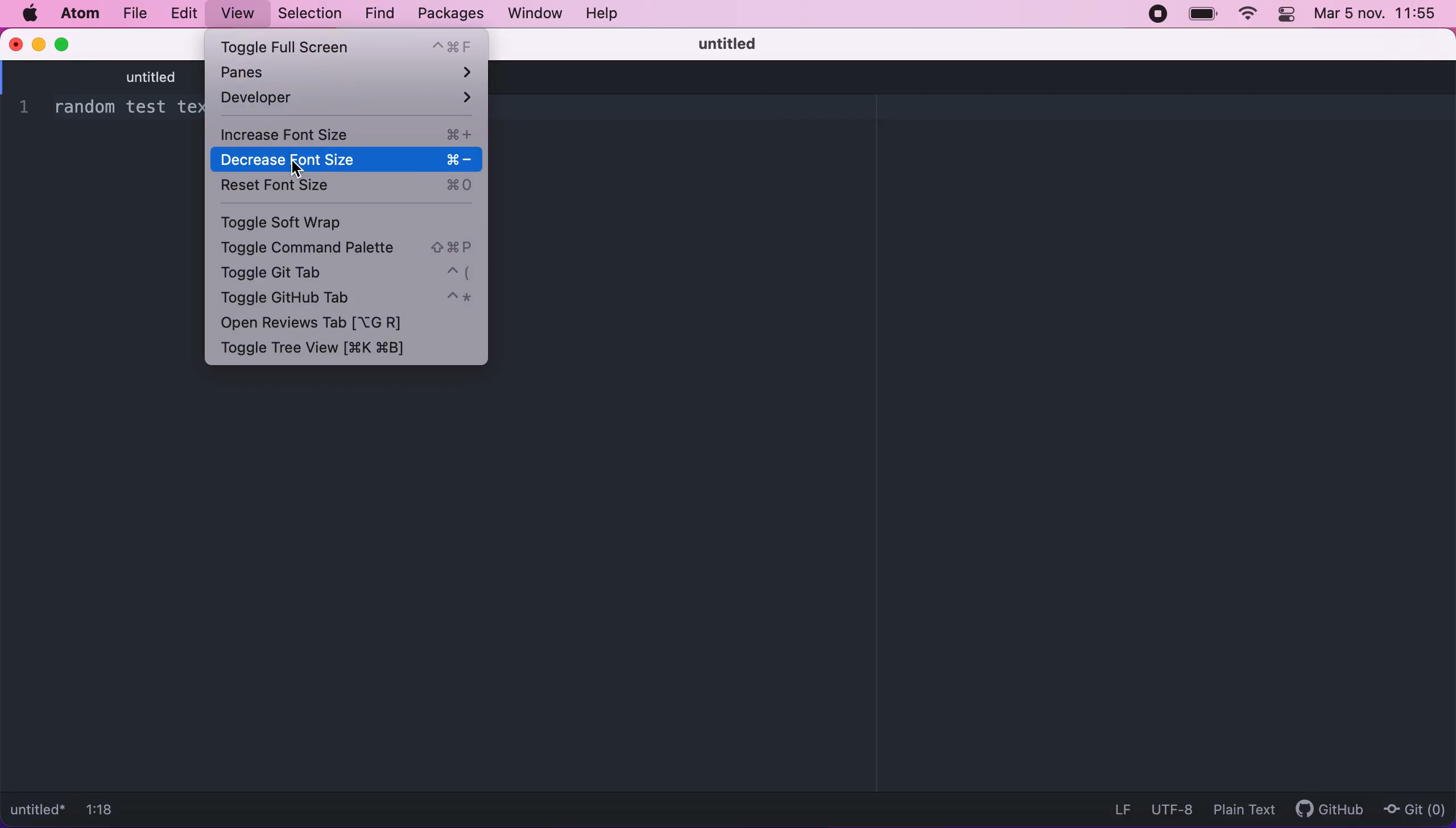 The height and width of the screenshot is (828, 1456). What do you see at coordinates (1286, 16) in the screenshot?
I see `panel control` at bounding box center [1286, 16].